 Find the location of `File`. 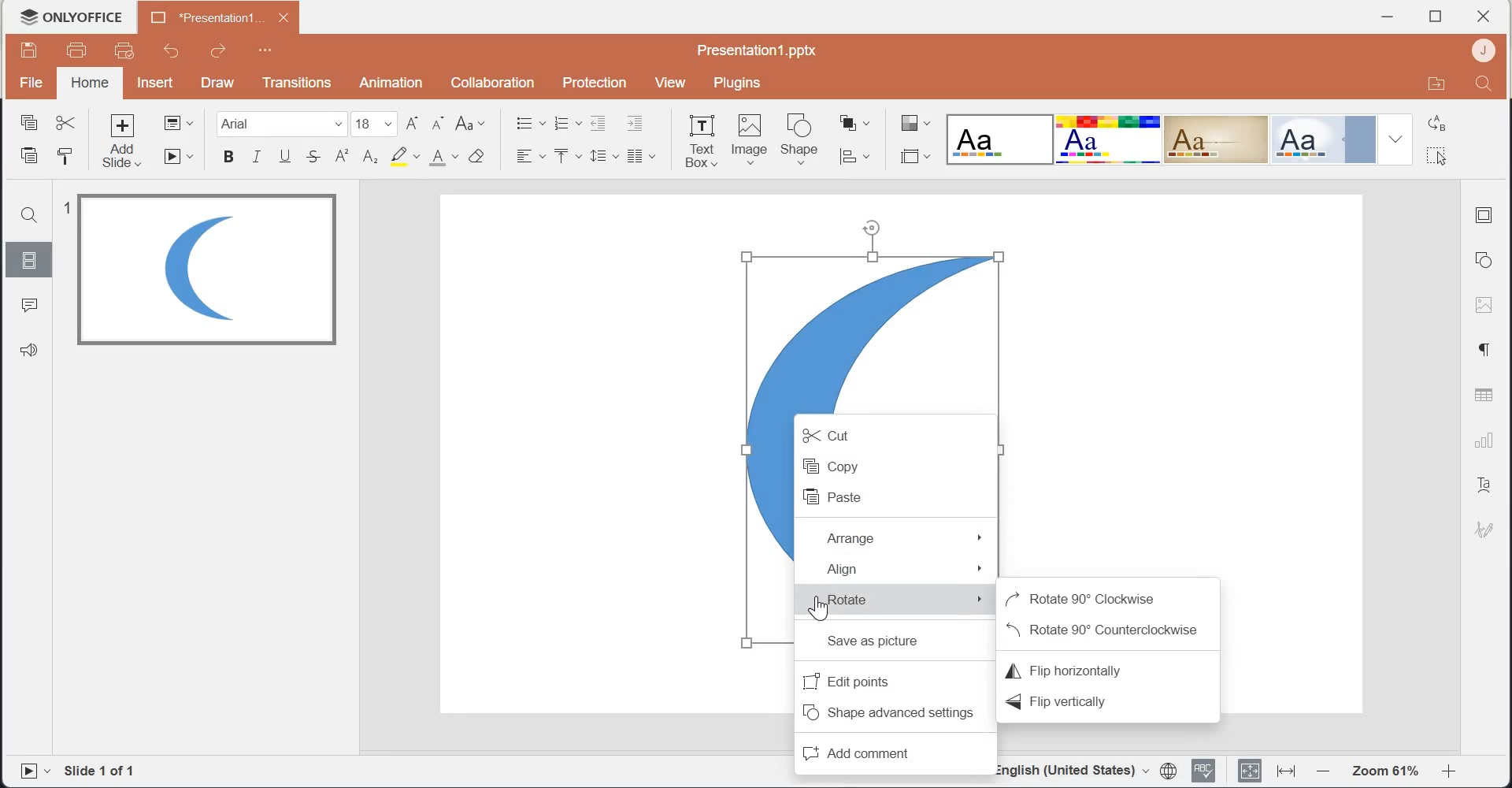

File is located at coordinates (33, 81).